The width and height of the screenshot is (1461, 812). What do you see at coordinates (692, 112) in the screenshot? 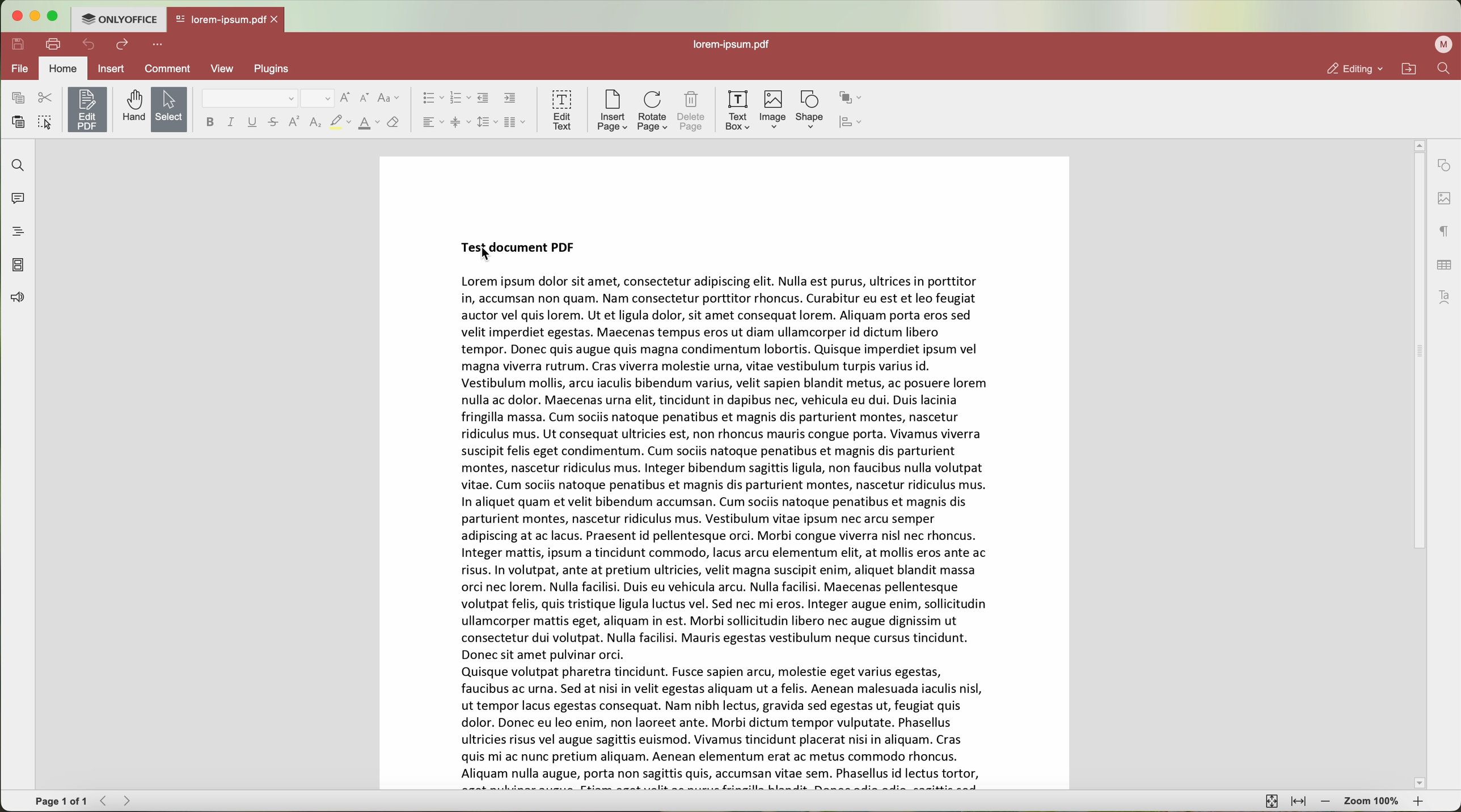
I see `delete page` at bounding box center [692, 112].